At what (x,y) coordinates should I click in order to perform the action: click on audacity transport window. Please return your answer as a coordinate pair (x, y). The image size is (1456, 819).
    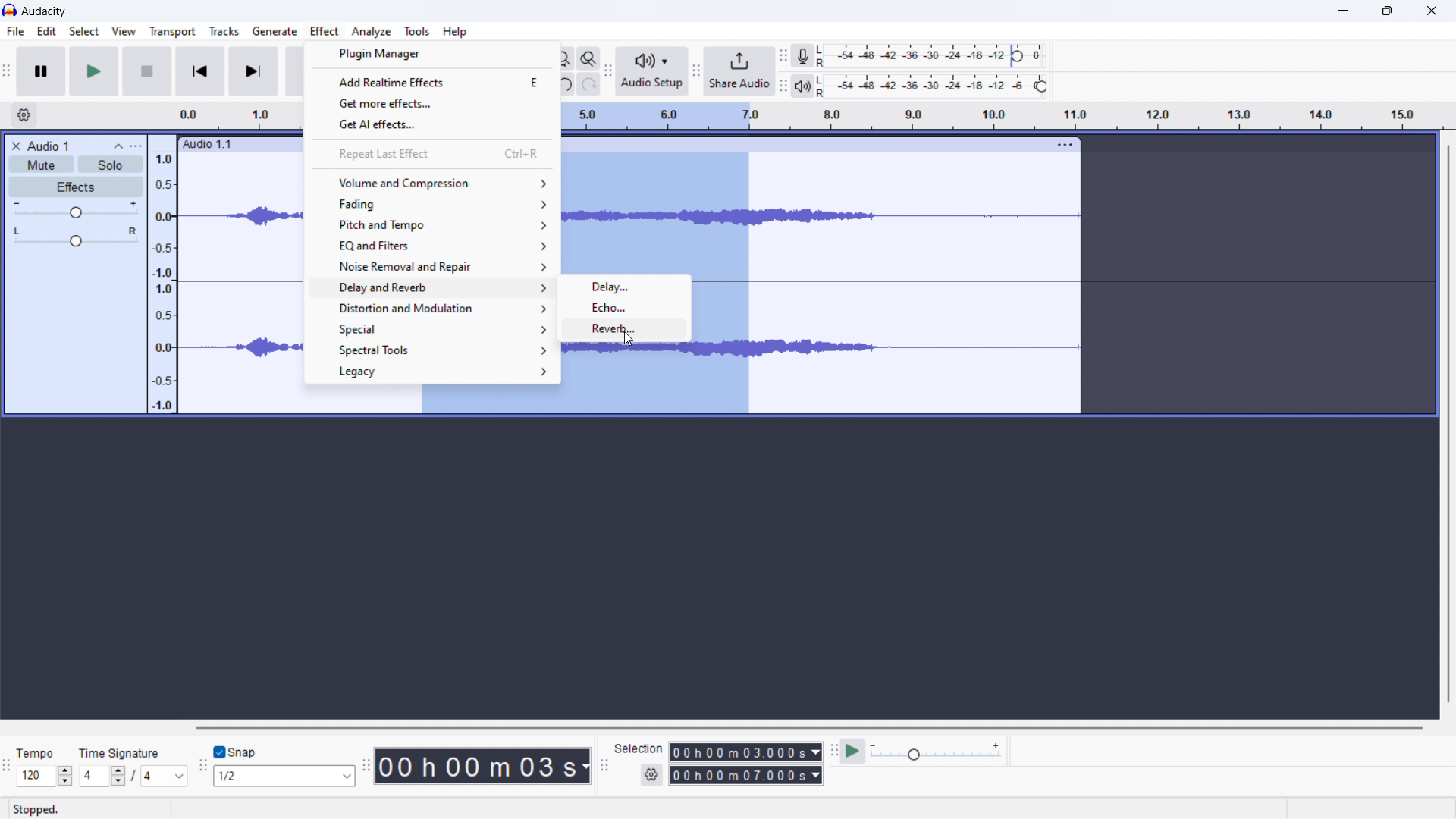
    Looking at the image, I should click on (7, 70).